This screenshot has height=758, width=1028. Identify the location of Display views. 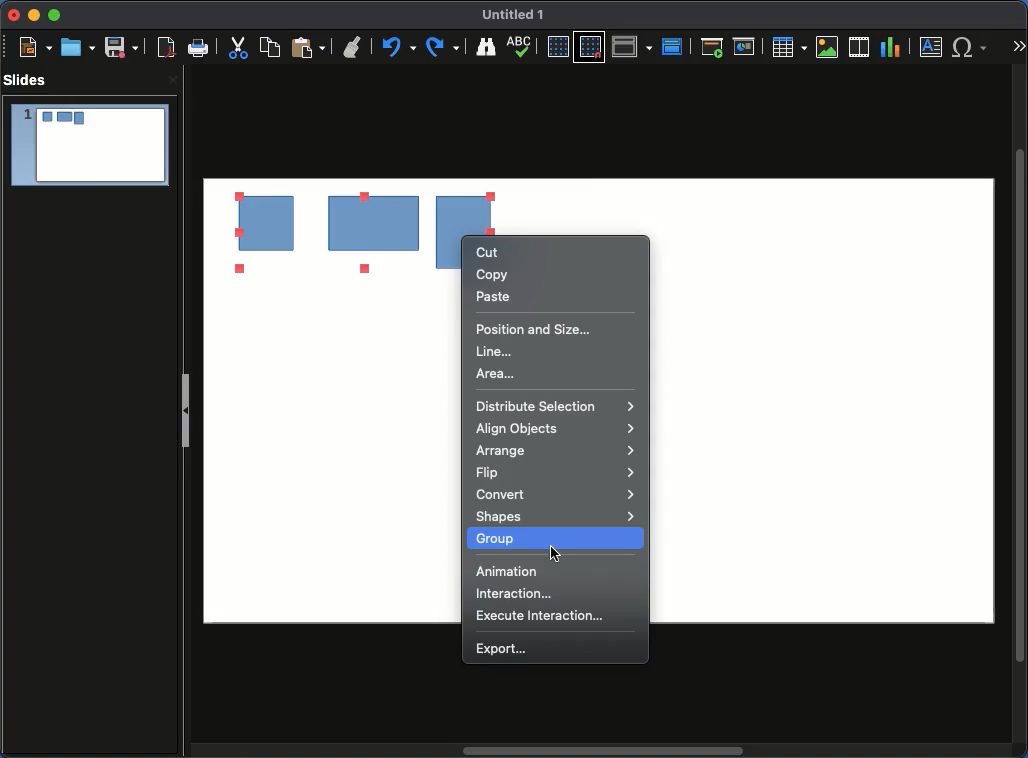
(632, 46).